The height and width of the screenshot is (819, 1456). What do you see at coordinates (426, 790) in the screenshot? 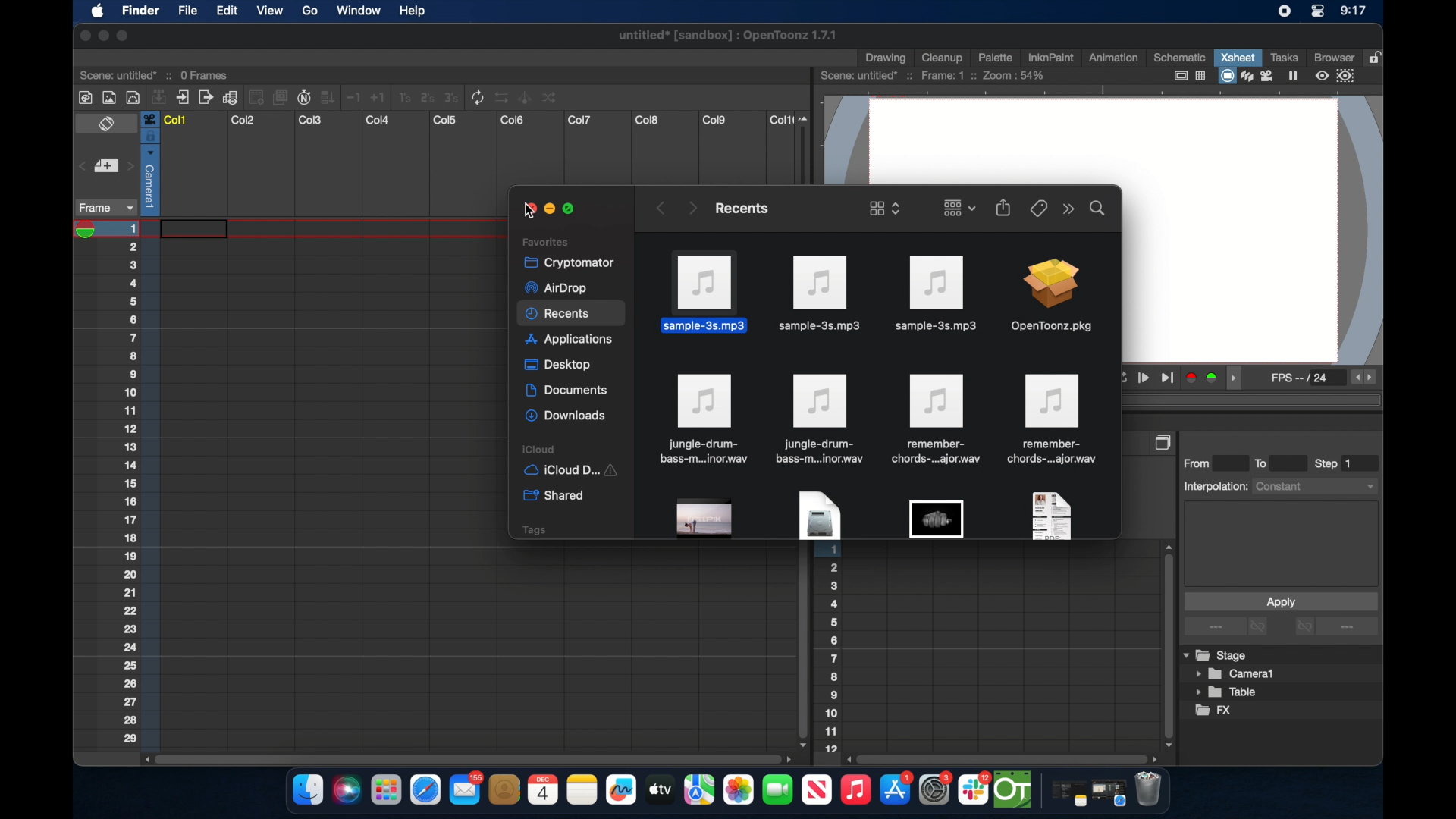
I see `safari` at bounding box center [426, 790].